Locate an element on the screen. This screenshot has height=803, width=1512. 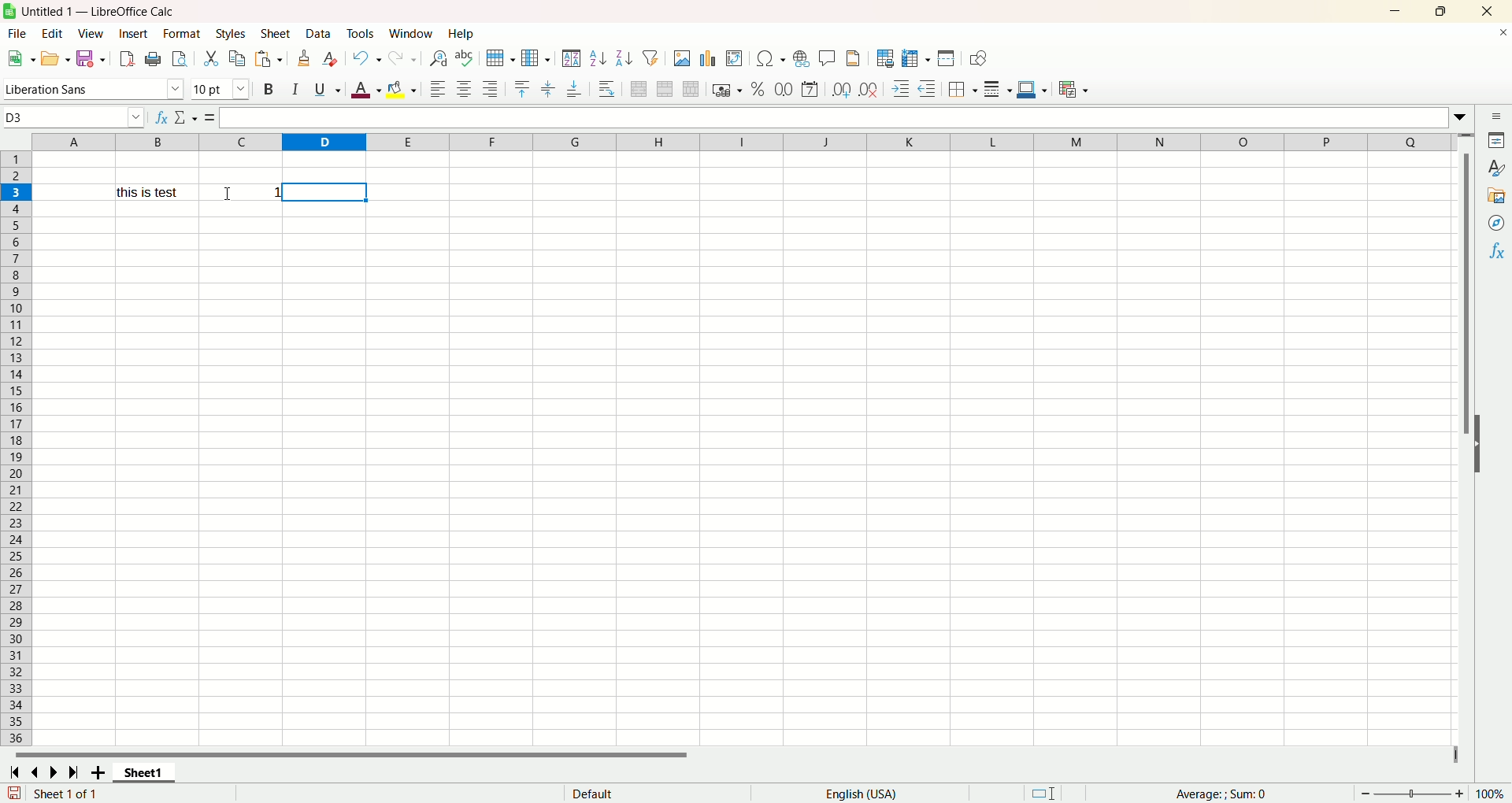
paste is located at coordinates (266, 58).